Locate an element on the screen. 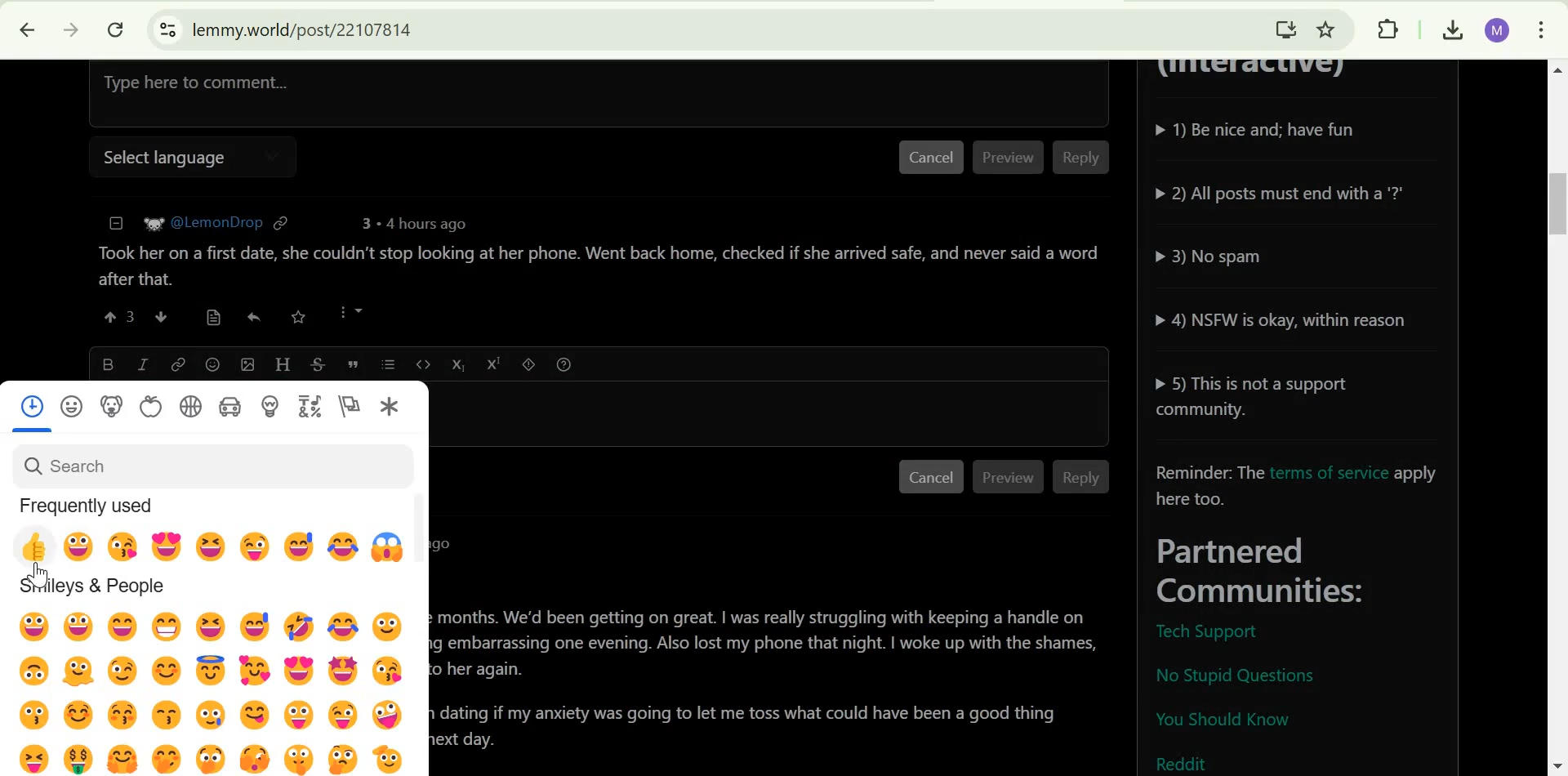  Cancel is located at coordinates (931, 477).